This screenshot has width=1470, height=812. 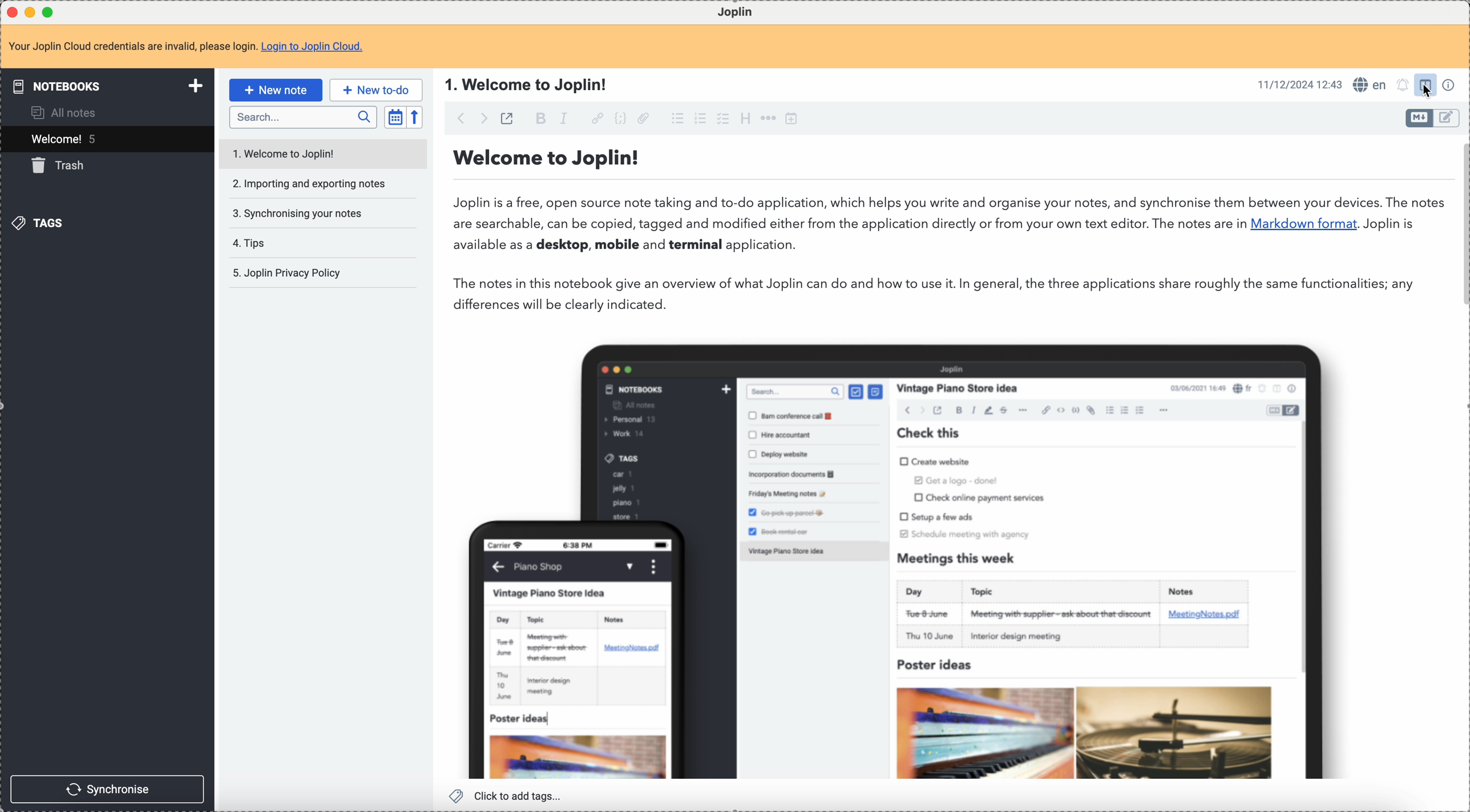 I want to click on image, so click(x=934, y=553).